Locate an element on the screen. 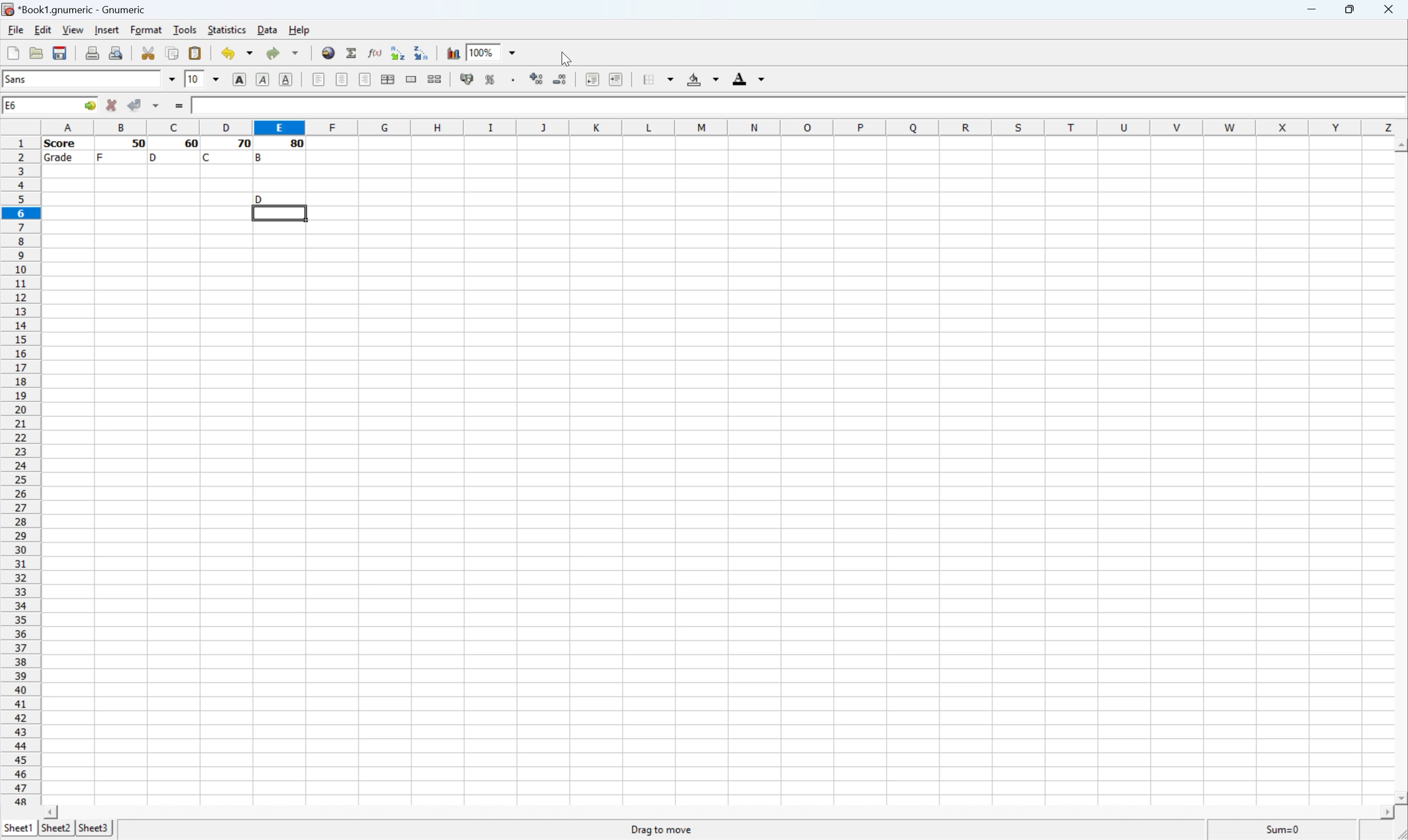  70 is located at coordinates (241, 144).